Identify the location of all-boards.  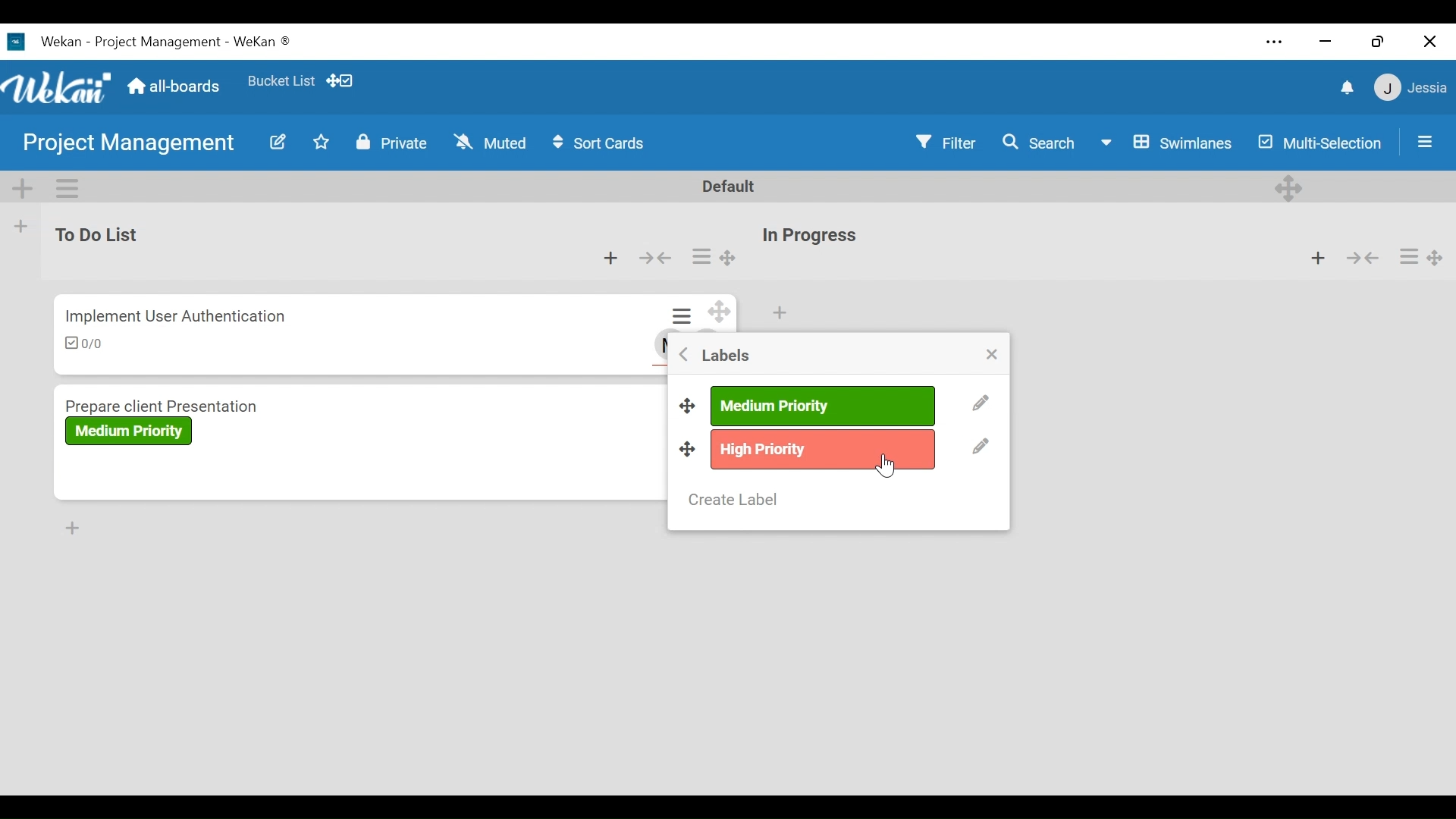
(180, 88).